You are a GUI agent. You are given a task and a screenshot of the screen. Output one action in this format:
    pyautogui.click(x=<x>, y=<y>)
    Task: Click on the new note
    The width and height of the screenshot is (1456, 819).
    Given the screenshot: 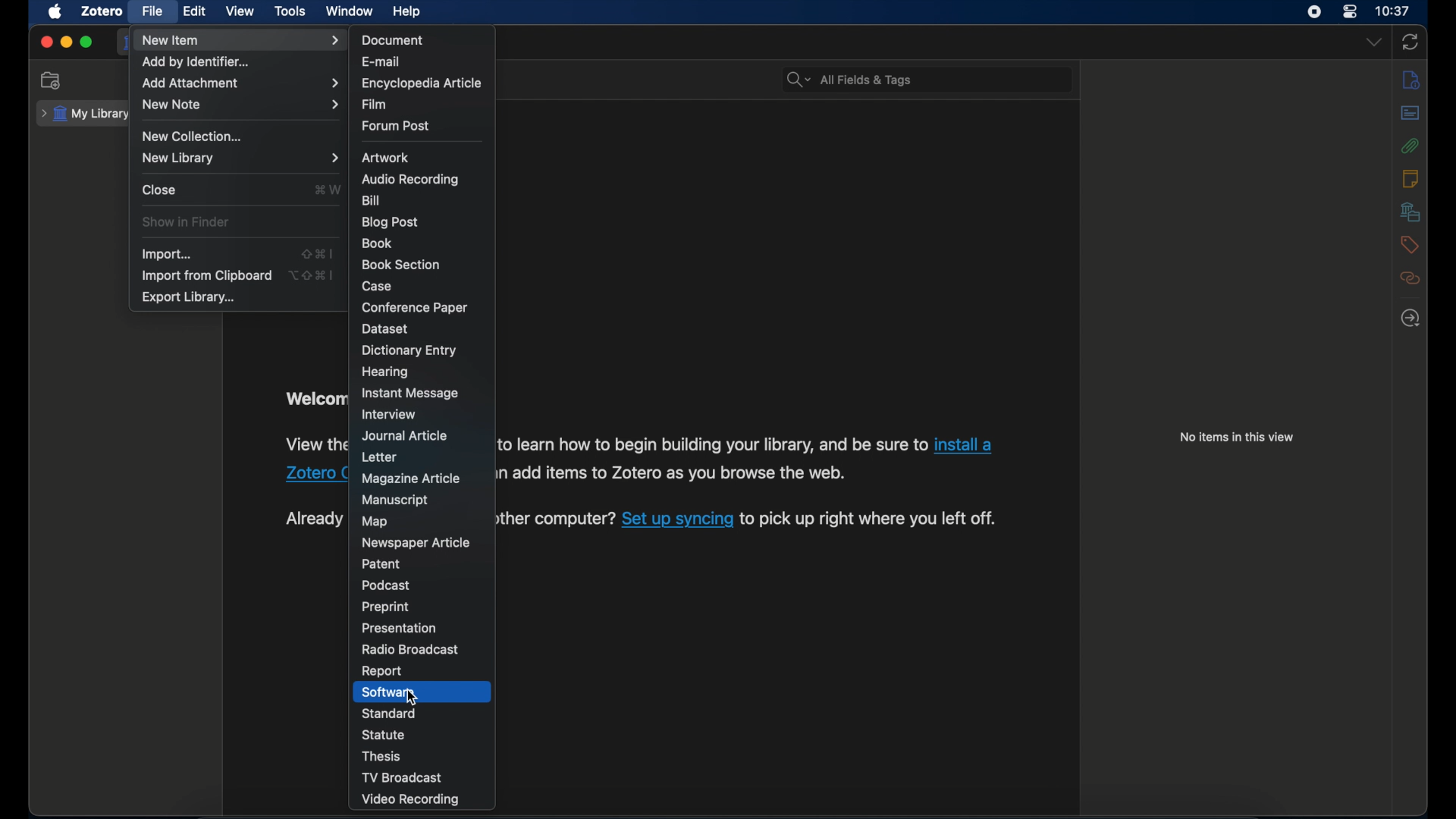 What is the action you would take?
    pyautogui.click(x=240, y=105)
    